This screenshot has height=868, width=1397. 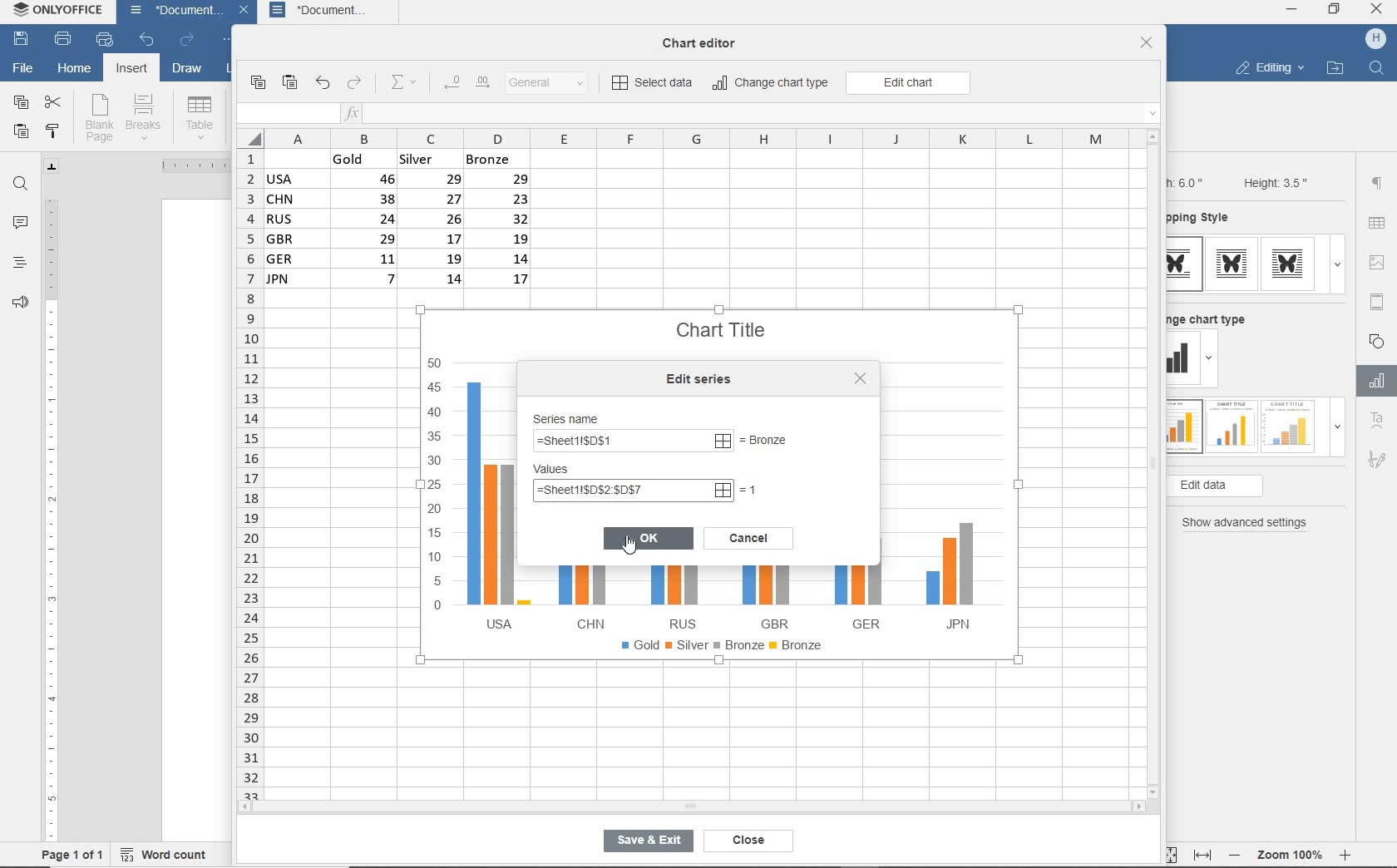 What do you see at coordinates (188, 71) in the screenshot?
I see `draw` at bounding box center [188, 71].